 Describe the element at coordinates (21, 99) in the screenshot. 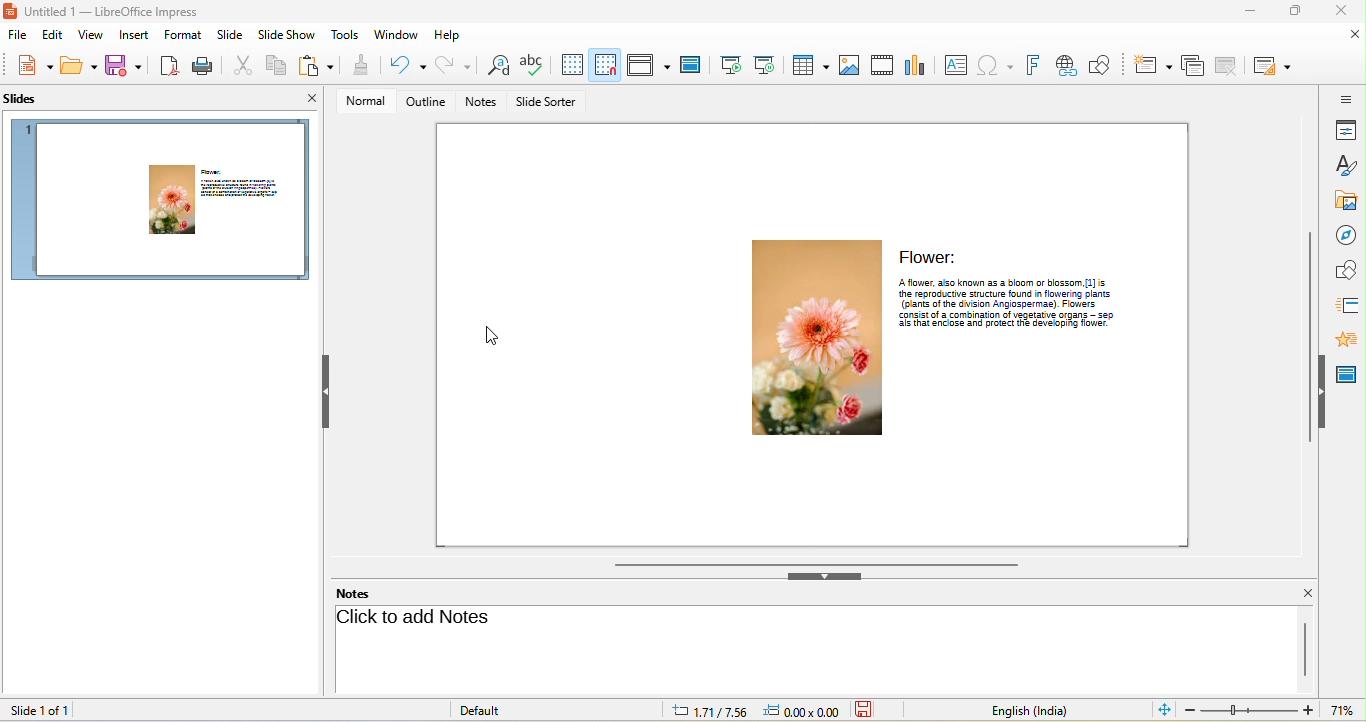

I see `slides` at that location.